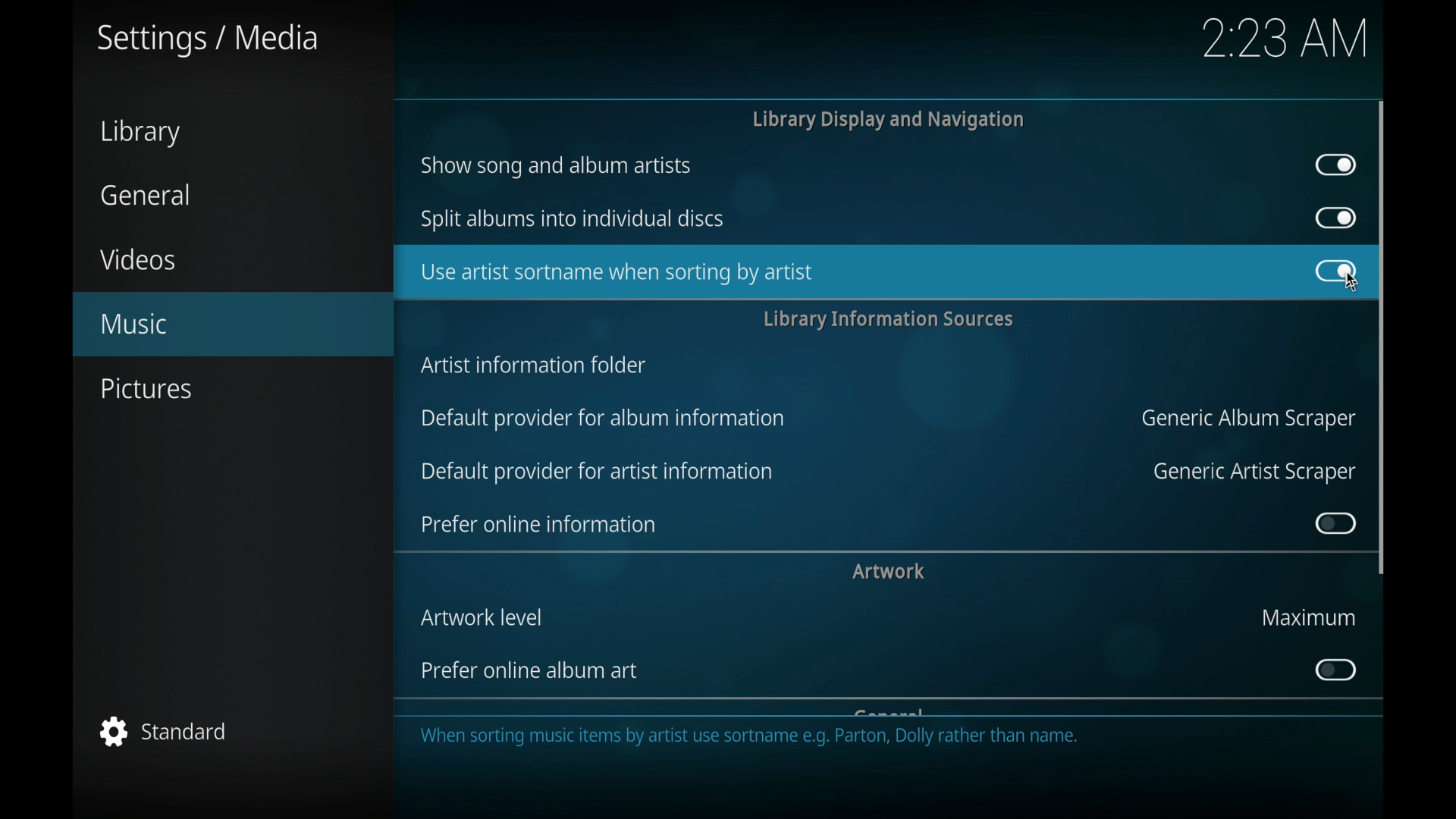 The width and height of the screenshot is (1456, 819). What do you see at coordinates (1345, 285) in the screenshot?
I see `cursor` at bounding box center [1345, 285].